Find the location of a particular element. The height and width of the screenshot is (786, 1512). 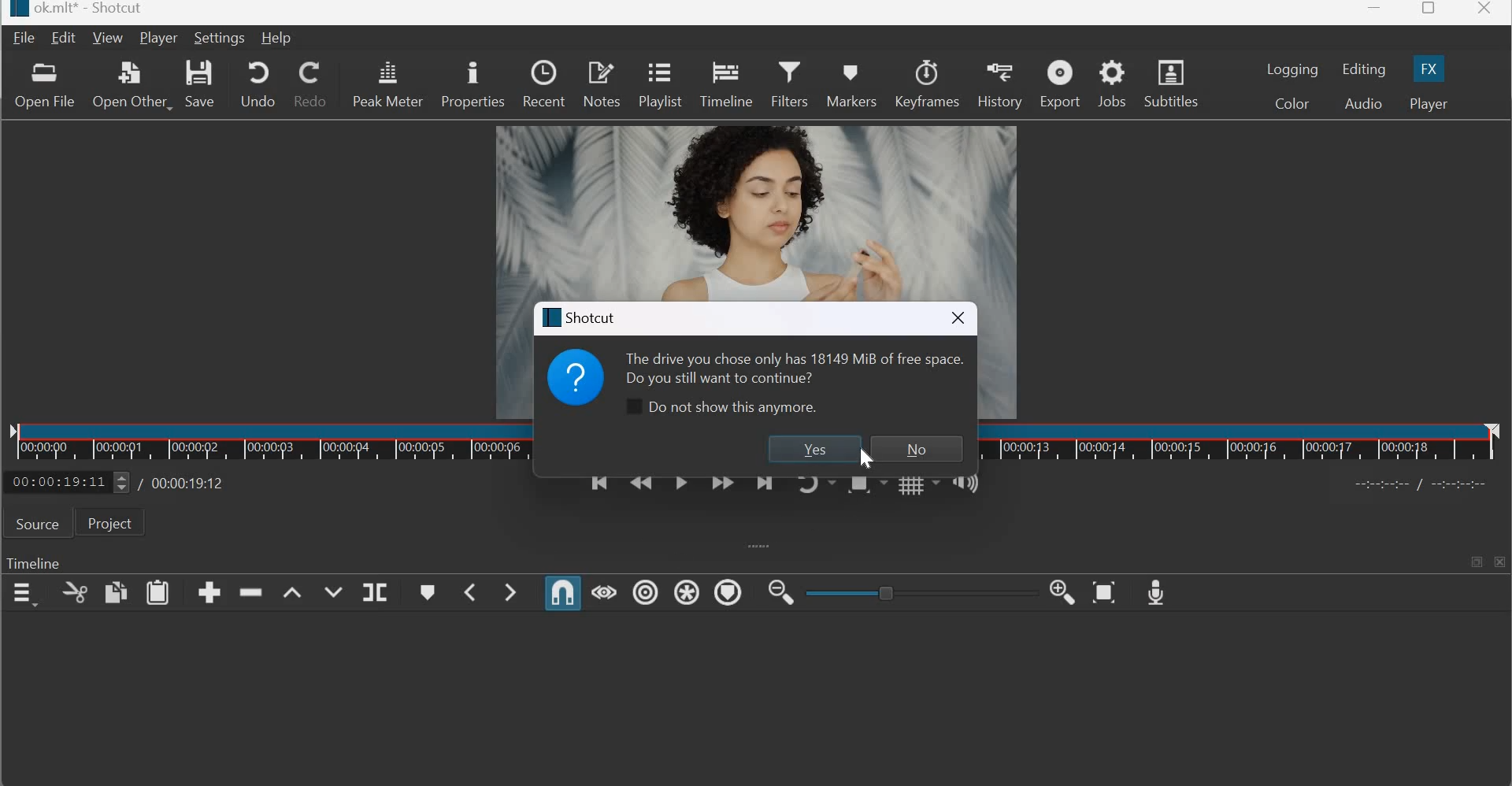

Toggle grid display on the player is located at coordinates (919, 488).